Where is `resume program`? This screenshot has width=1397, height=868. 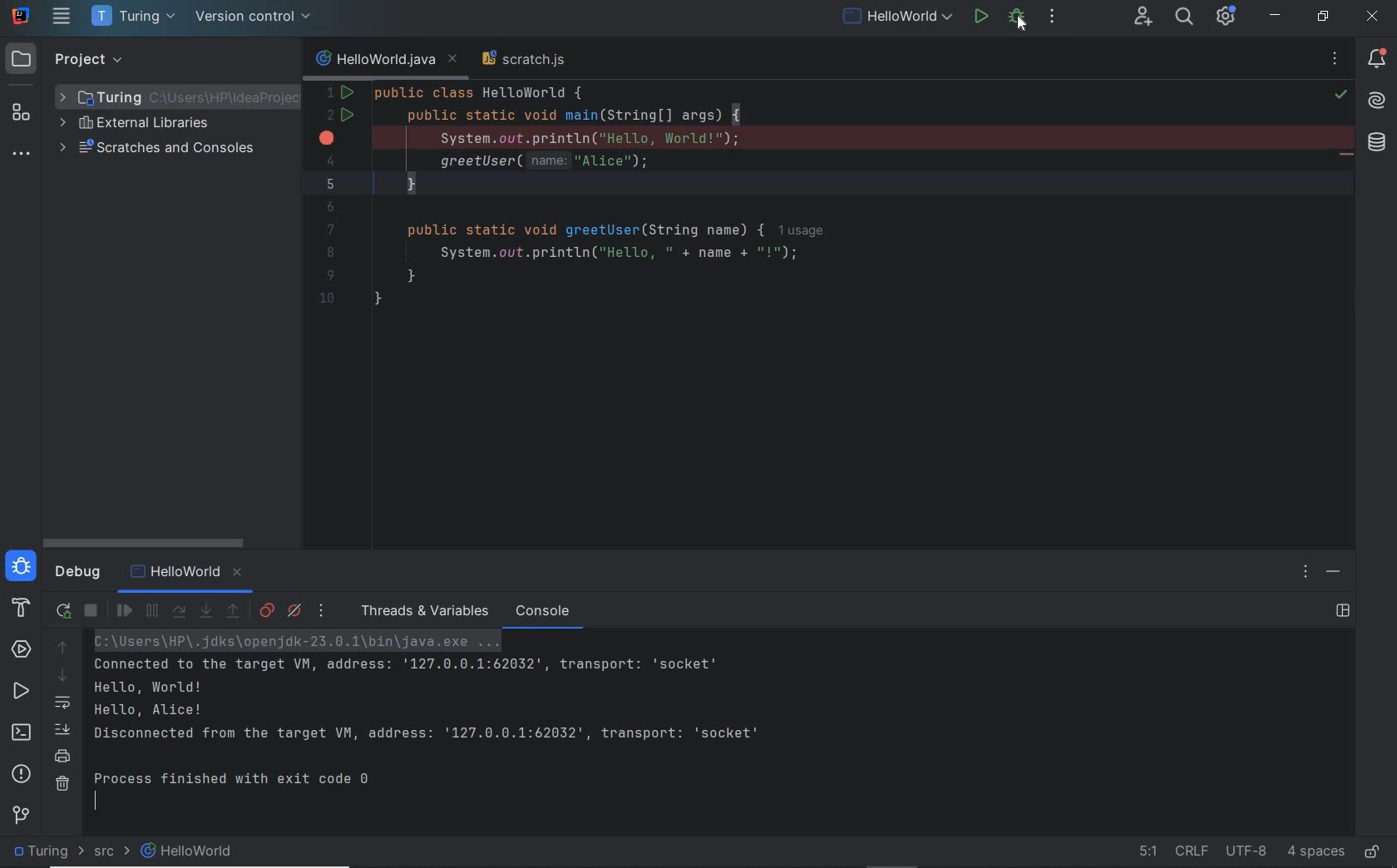 resume program is located at coordinates (126, 611).